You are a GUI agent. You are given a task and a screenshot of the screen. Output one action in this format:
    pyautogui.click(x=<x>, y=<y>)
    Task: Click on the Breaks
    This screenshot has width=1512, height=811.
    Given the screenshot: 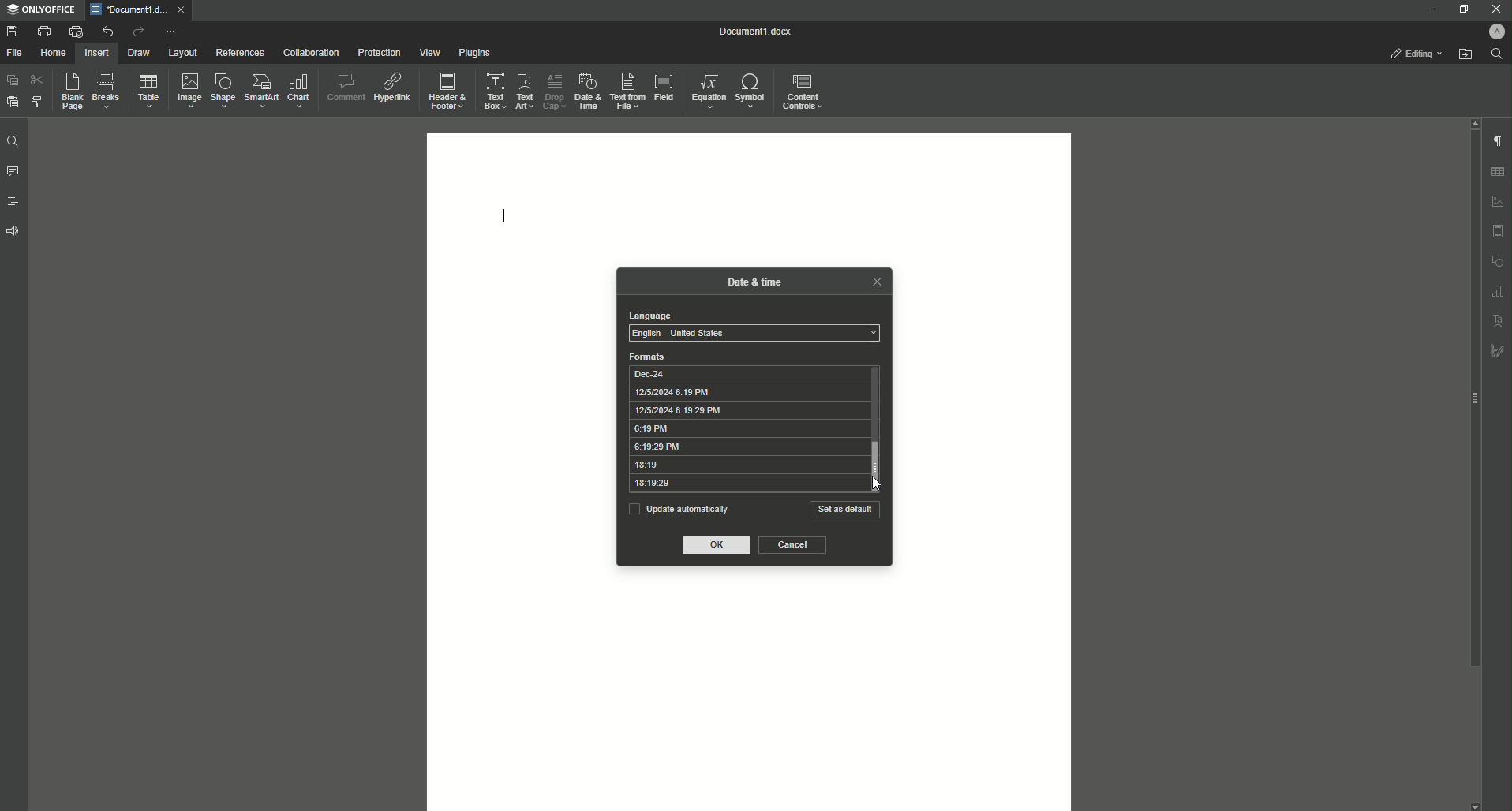 What is the action you would take?
    pyautogui.click(x=106, y=92)
    